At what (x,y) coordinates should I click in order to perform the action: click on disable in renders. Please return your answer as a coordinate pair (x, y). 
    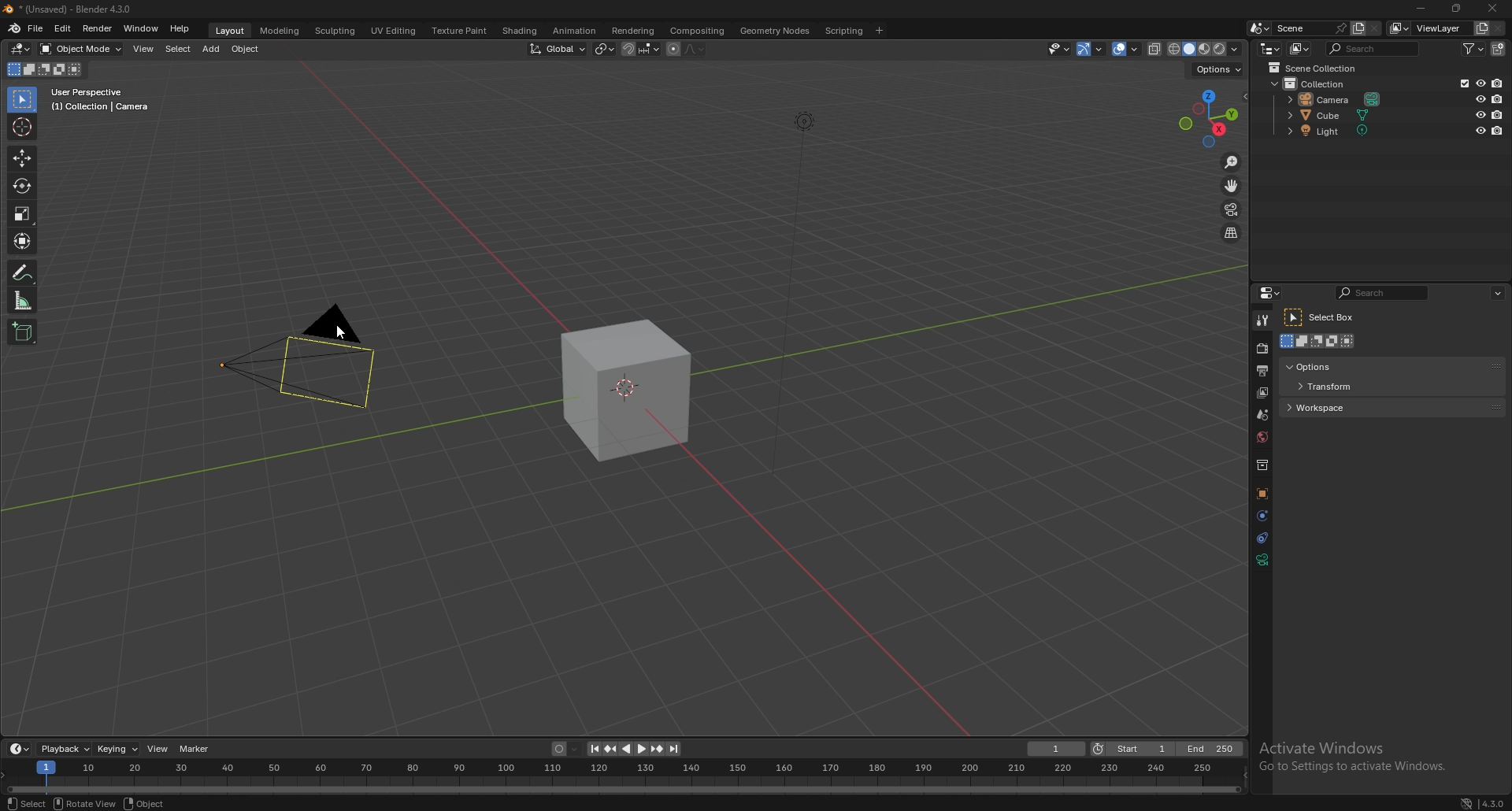
    Looking at the image, I should click on (1499, 83).